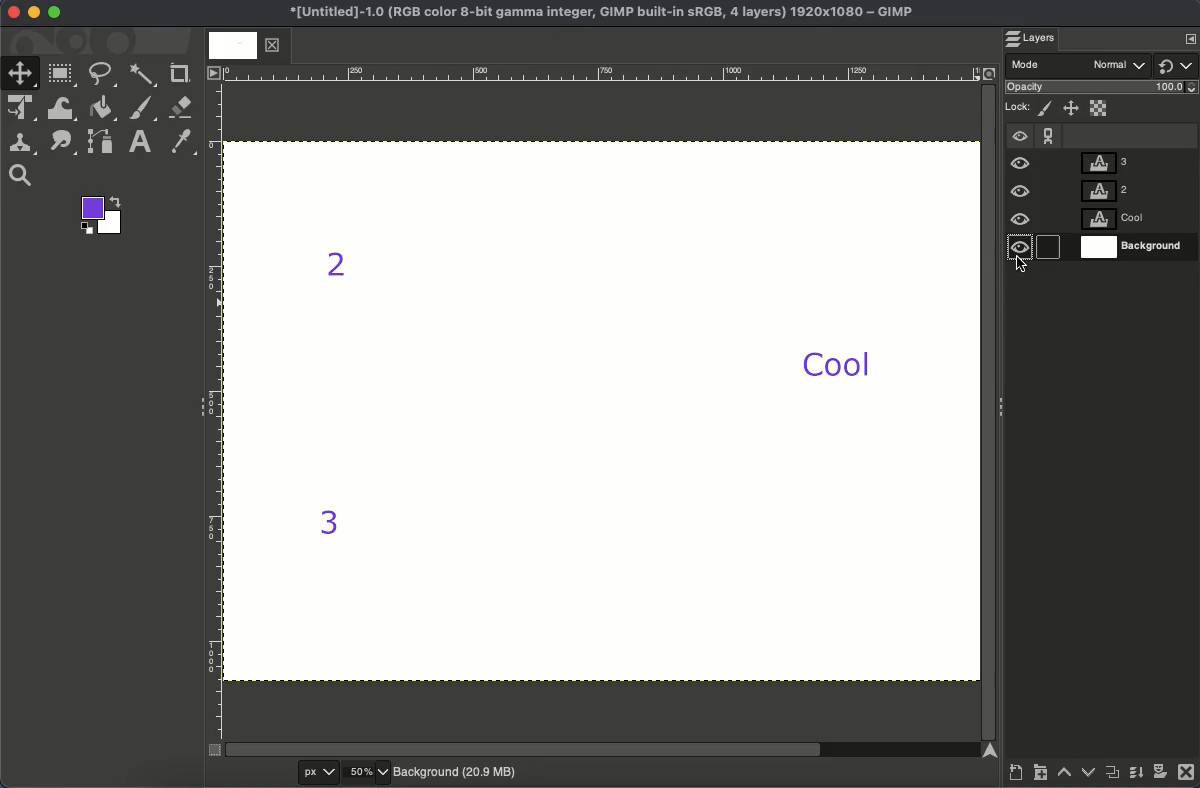  What do you see at coordinates (328, 524) in the screenshot?
I see `3` at bounding box center [328, 524].